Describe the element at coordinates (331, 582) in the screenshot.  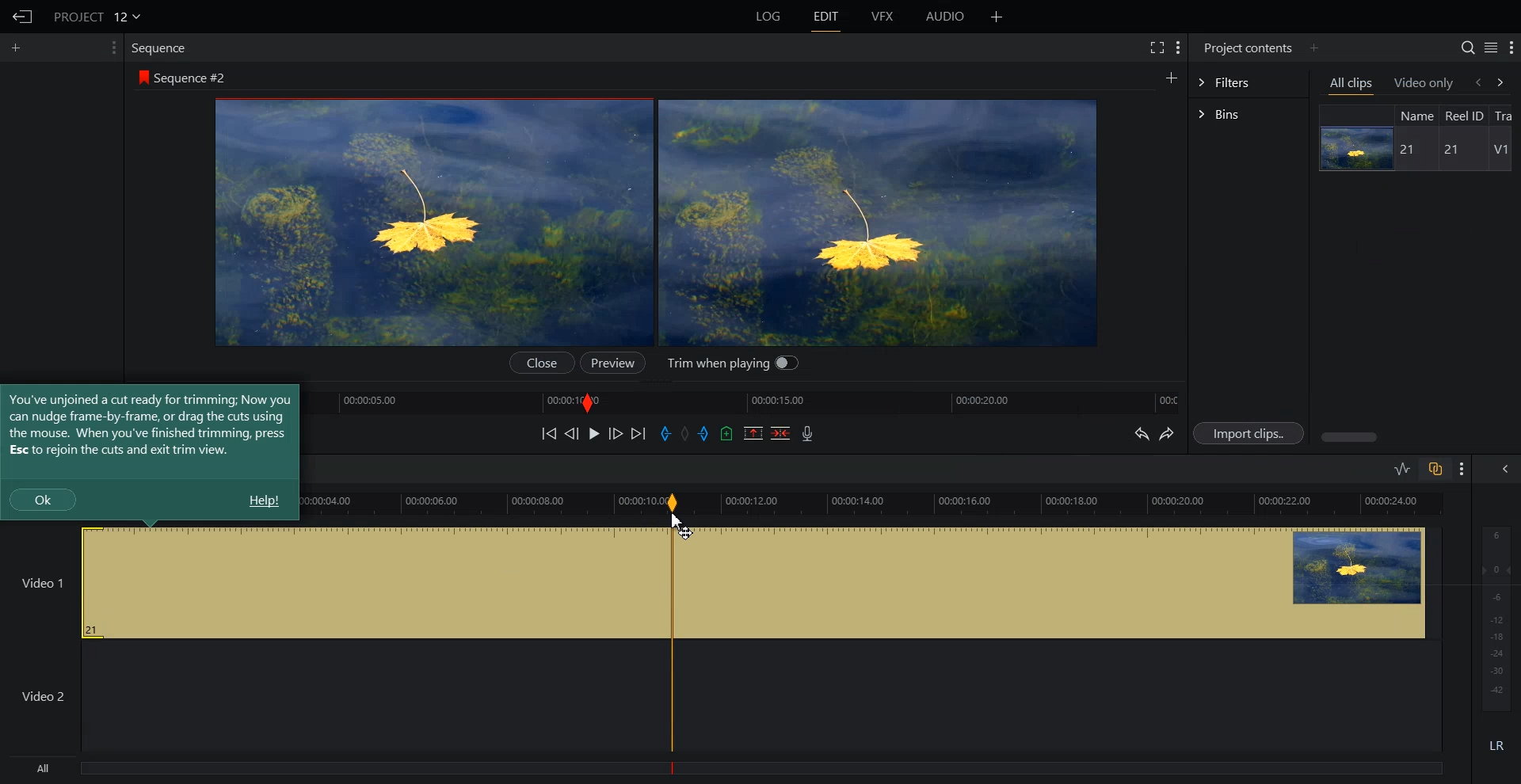
I see `Video 1` at that location.